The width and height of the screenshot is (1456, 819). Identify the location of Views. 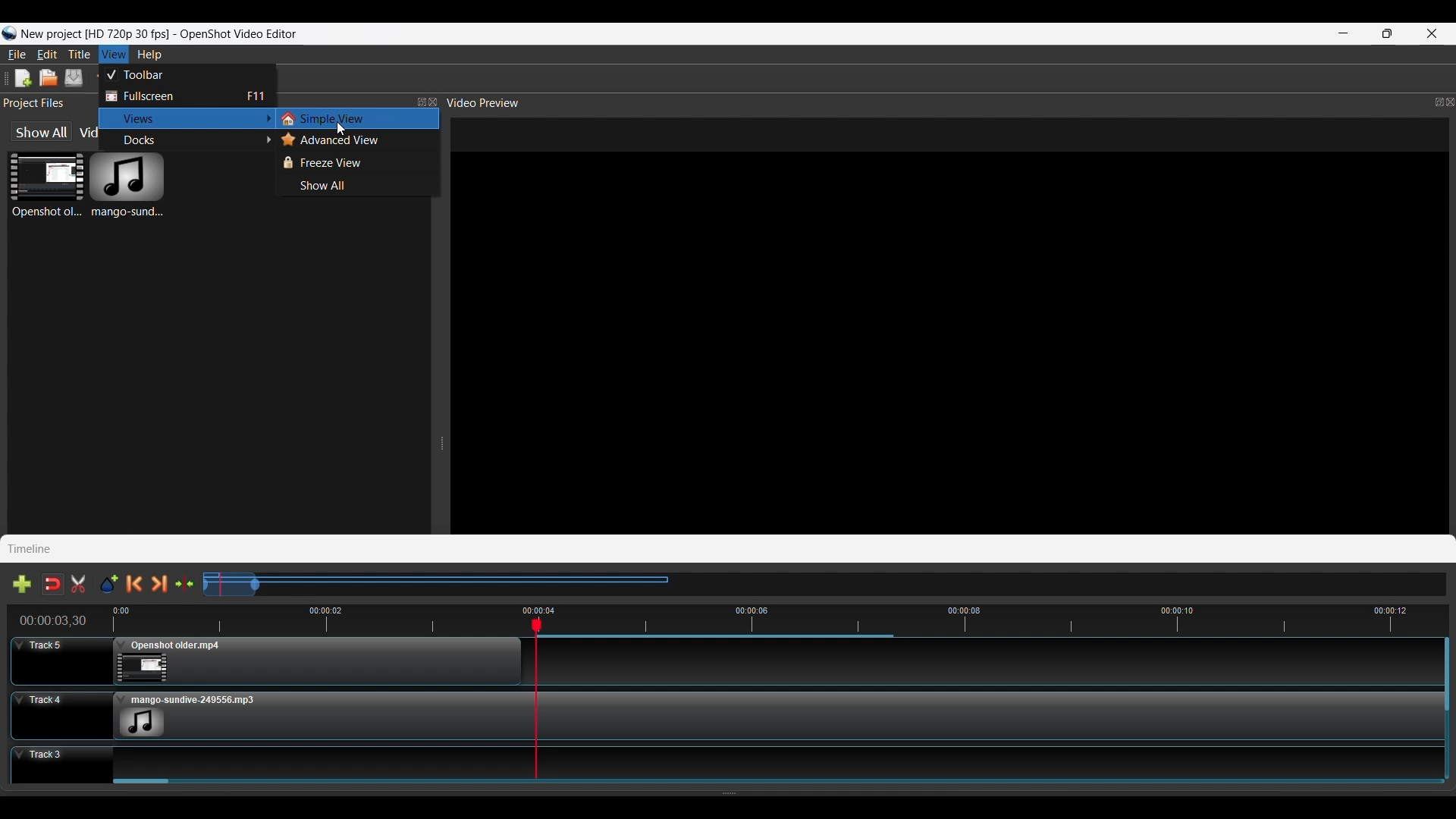
(186, 117).